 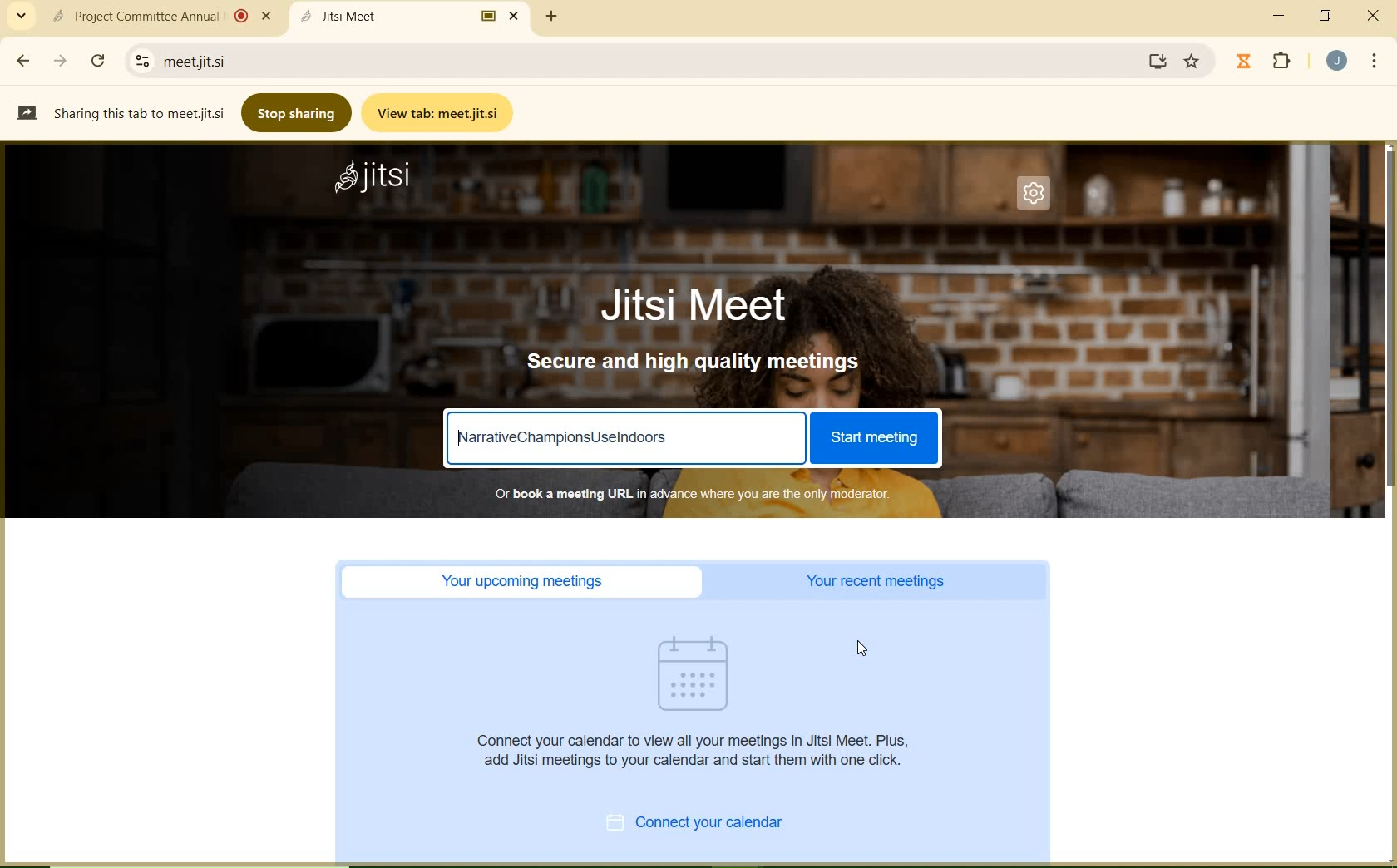 I want to click on back, so click(x=26, y=61).